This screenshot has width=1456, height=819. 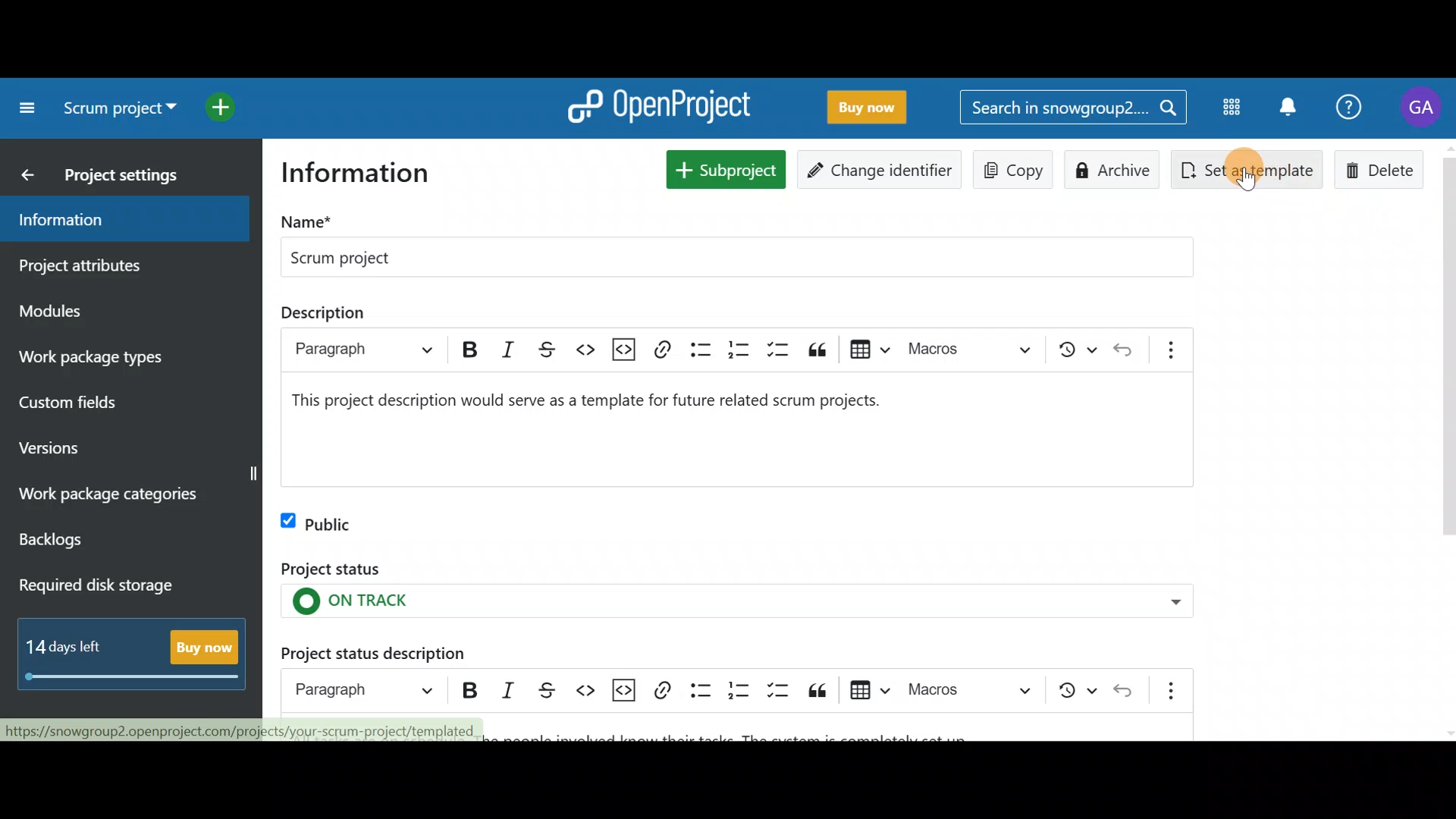 I want to click on Collapse project menu, so click(x=24, y=108).